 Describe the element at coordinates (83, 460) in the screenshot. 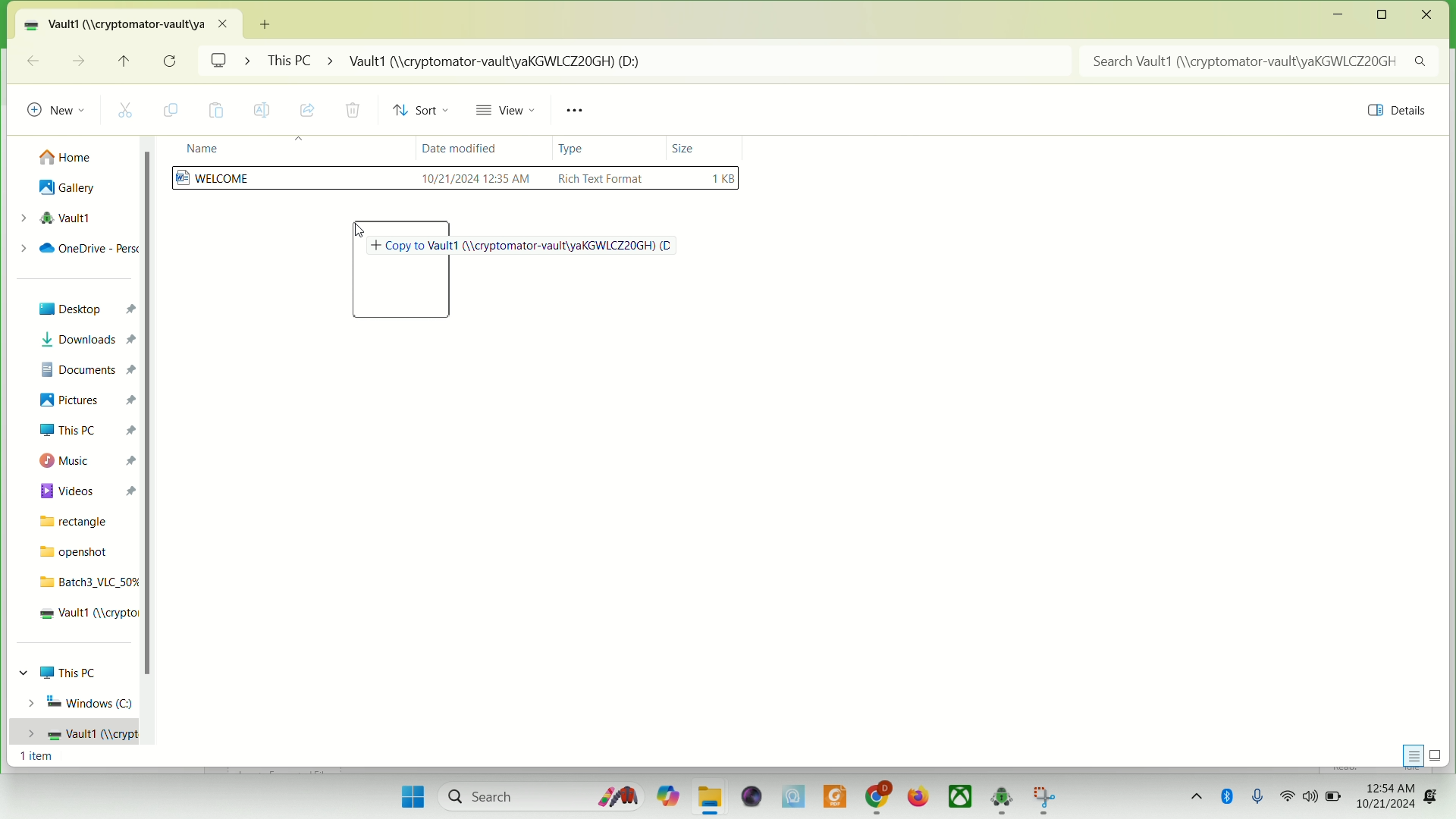

I see `music` at that location.